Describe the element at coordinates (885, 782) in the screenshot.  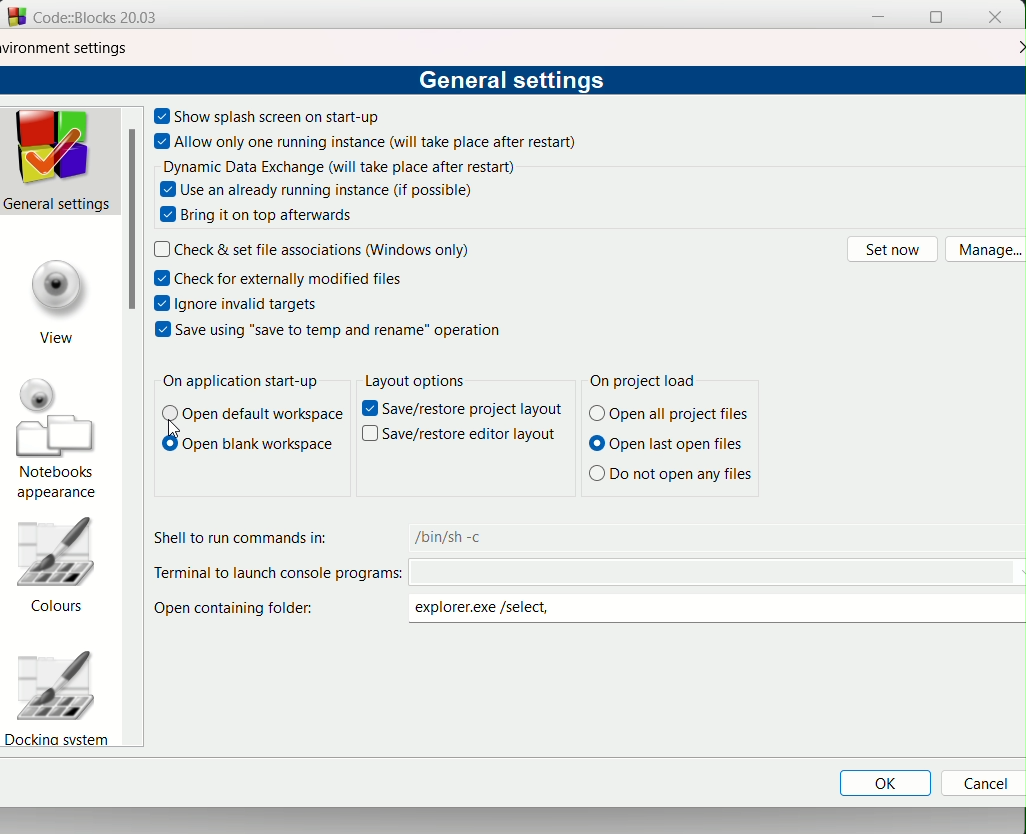
I see `Ok` at that location.